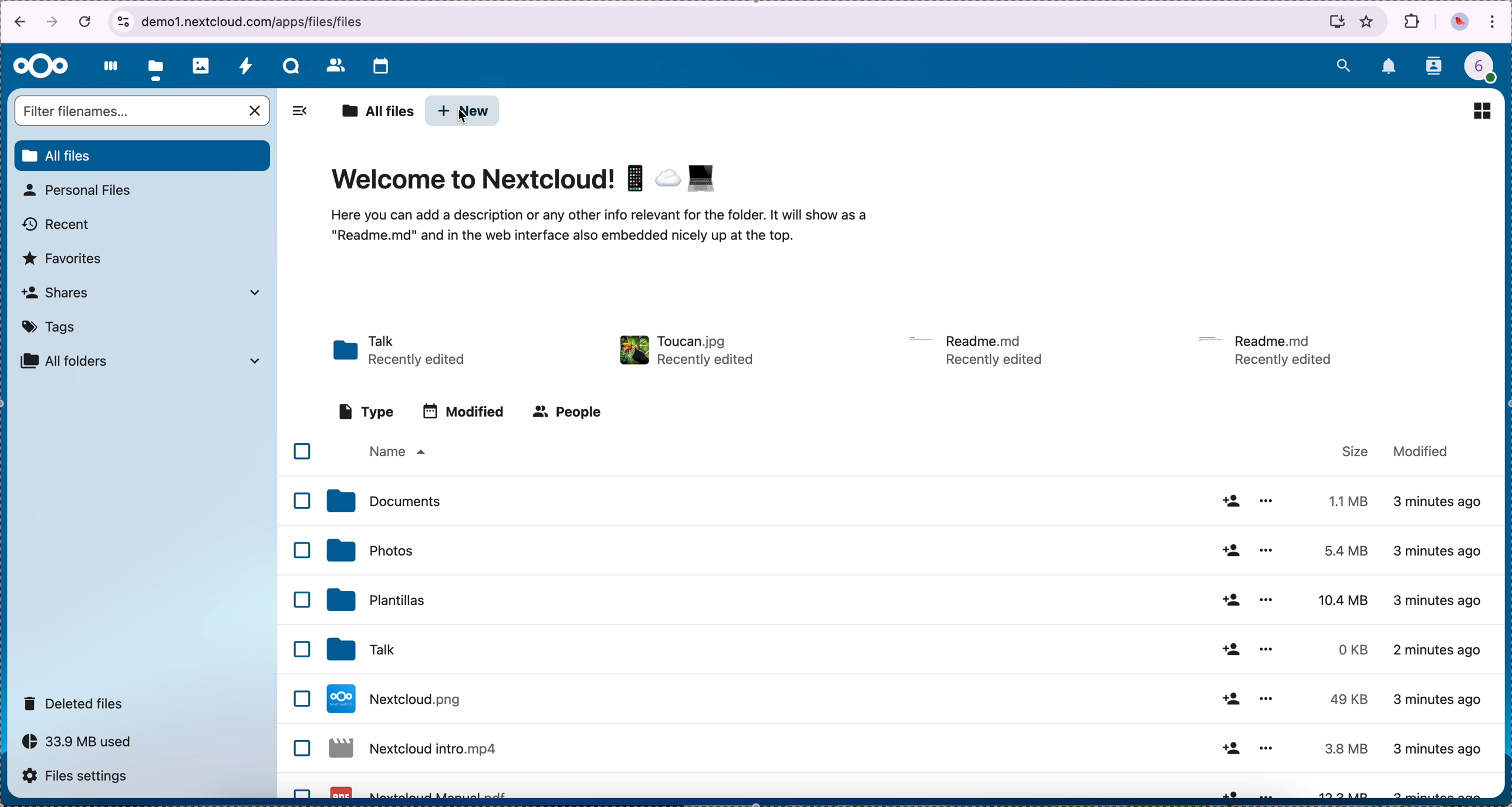 The width and height of the screenshot is (1512, 807). Describe the element at coordinates (1435, 67) in the screenshot. I see `contacts` at that location.